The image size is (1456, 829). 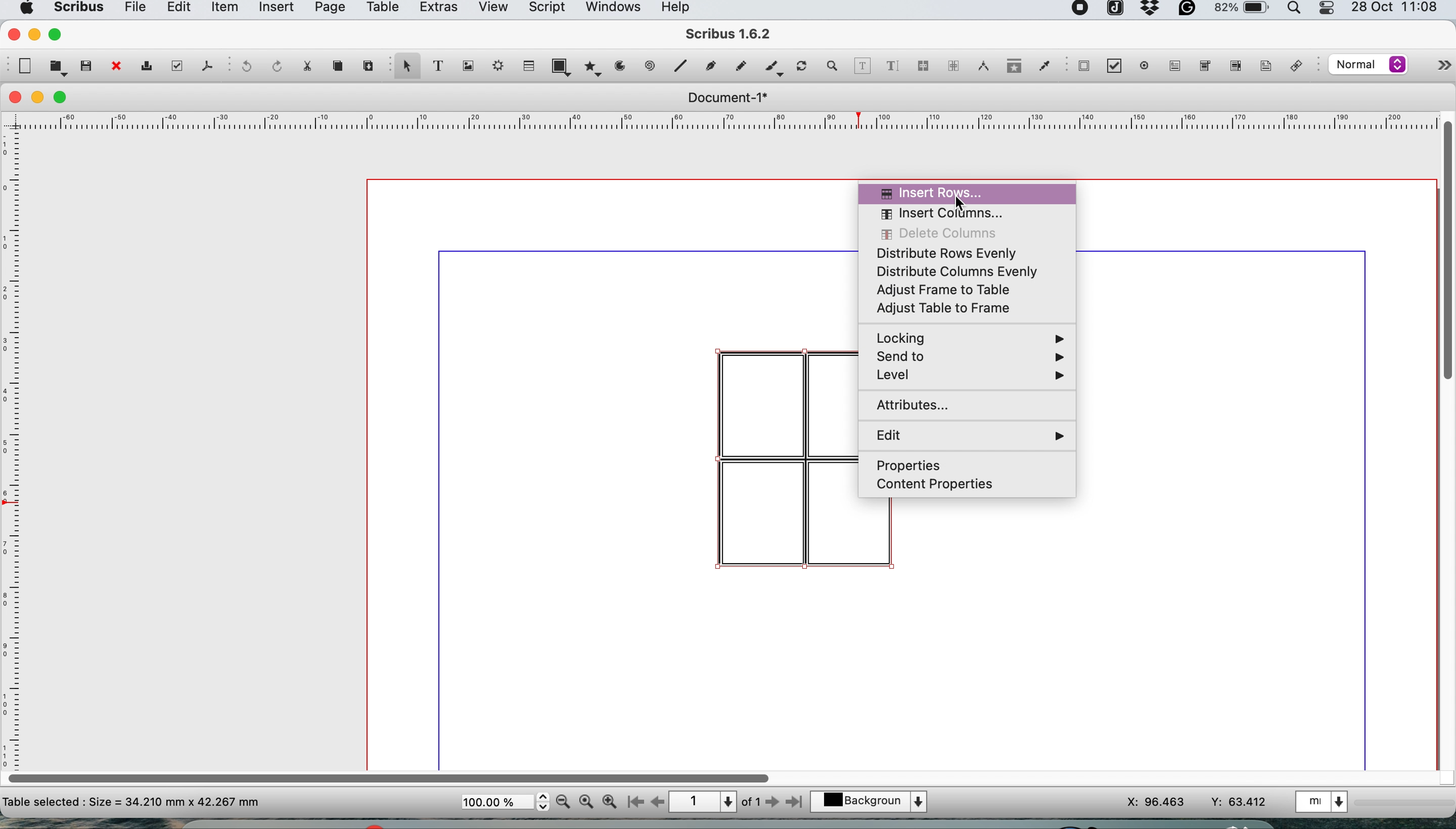 I want to click on calligraphic line, so click(x=772, y=69).